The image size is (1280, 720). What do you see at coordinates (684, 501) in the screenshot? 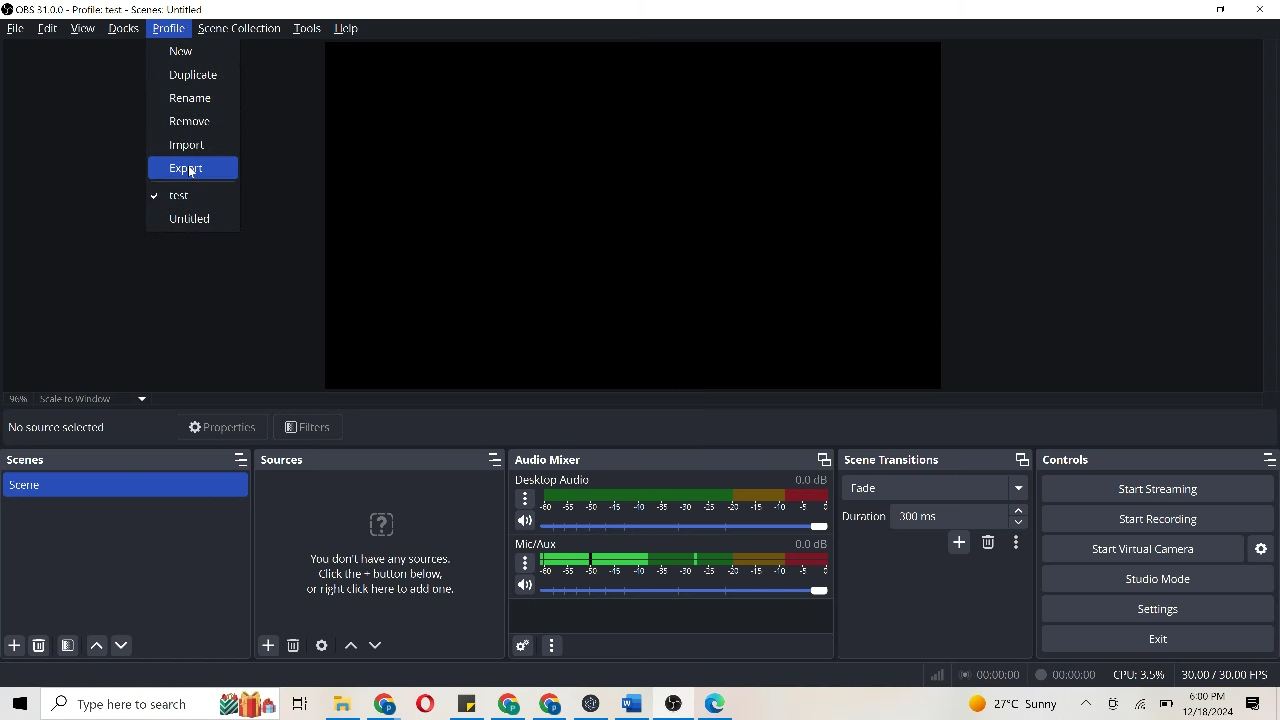
I see `audio decibel scale` at bounding box center [684, 501].